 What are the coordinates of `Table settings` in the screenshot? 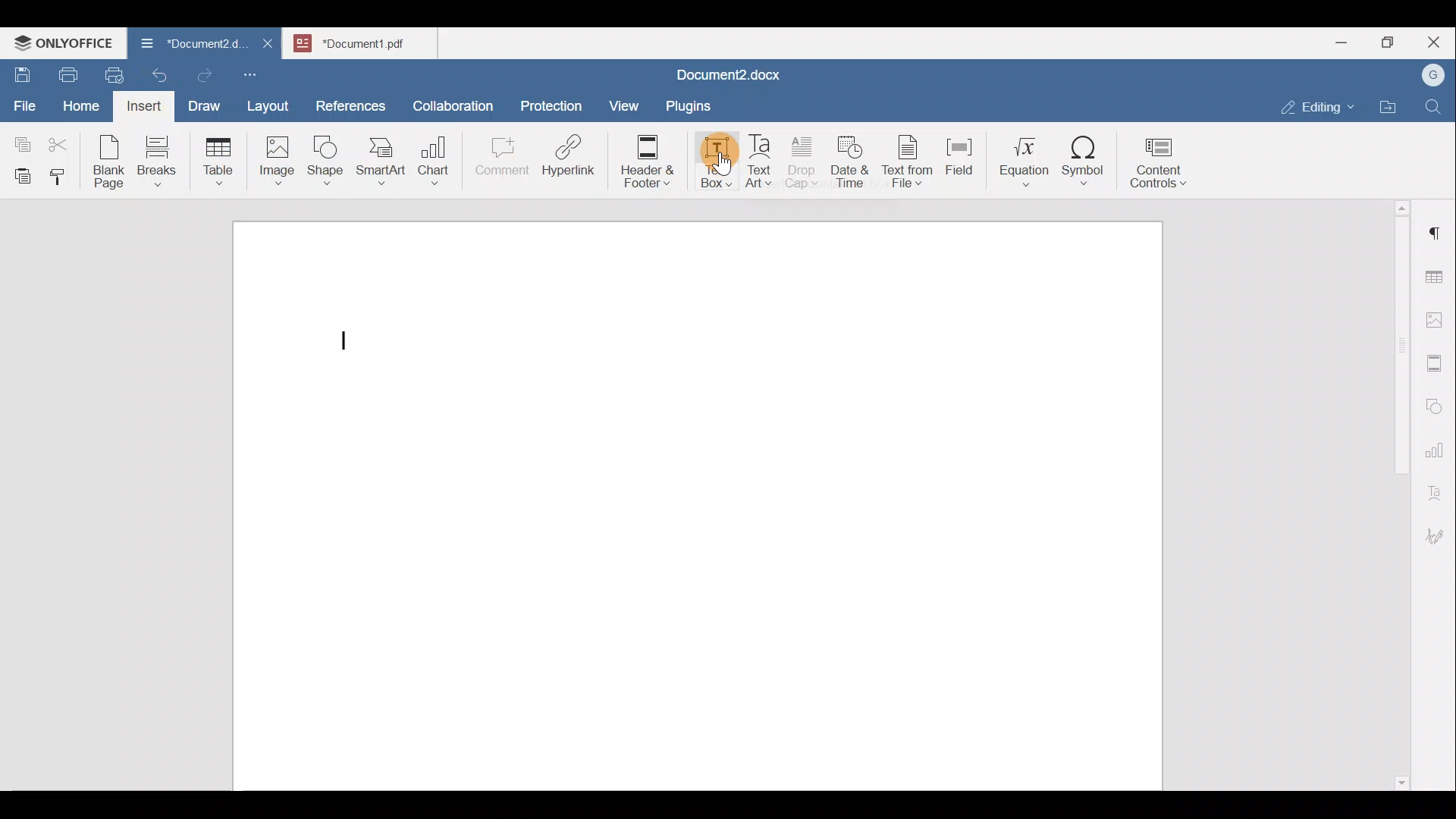 It's located at (1437, 275).